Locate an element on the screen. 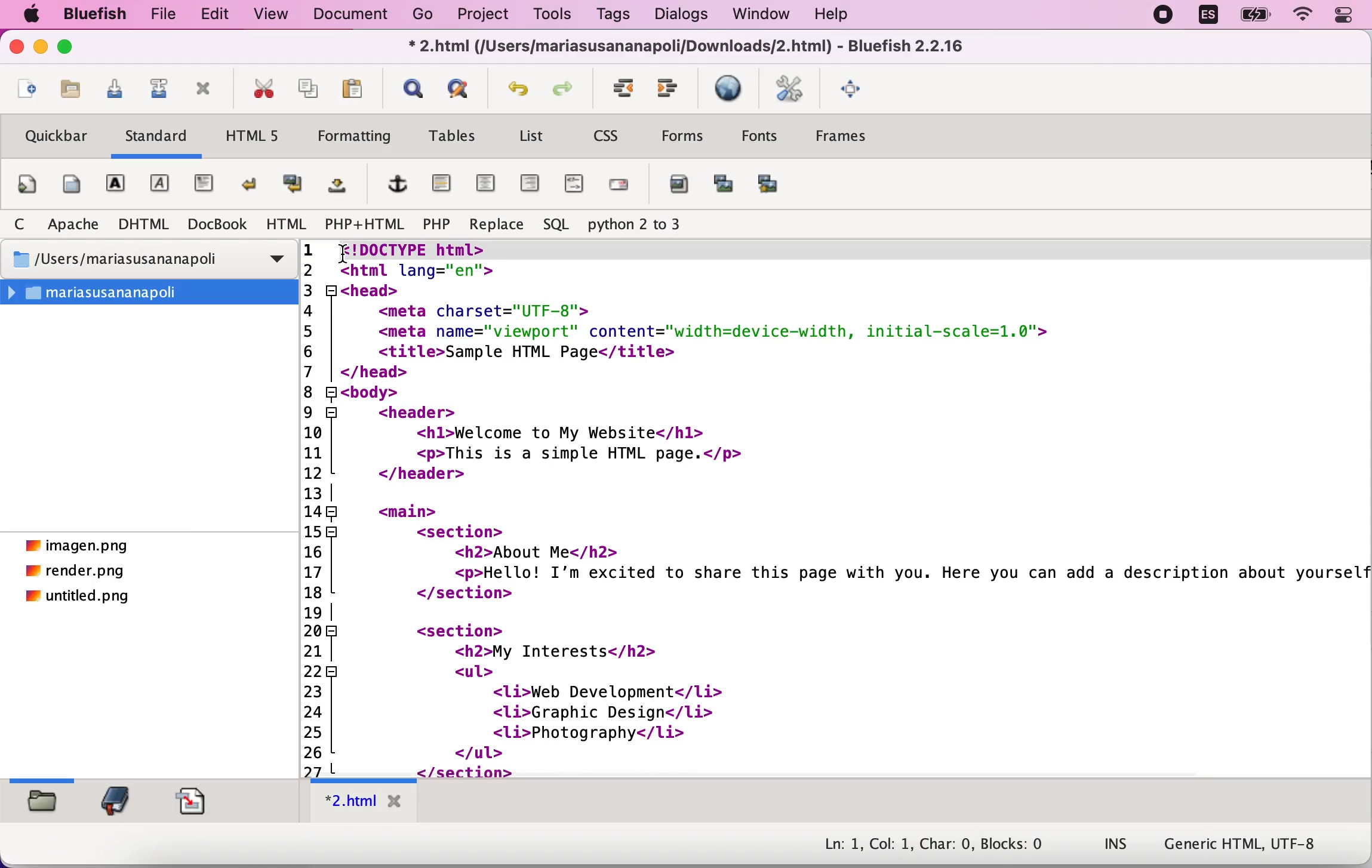  Control centre is located at coordinates (1344, 16).